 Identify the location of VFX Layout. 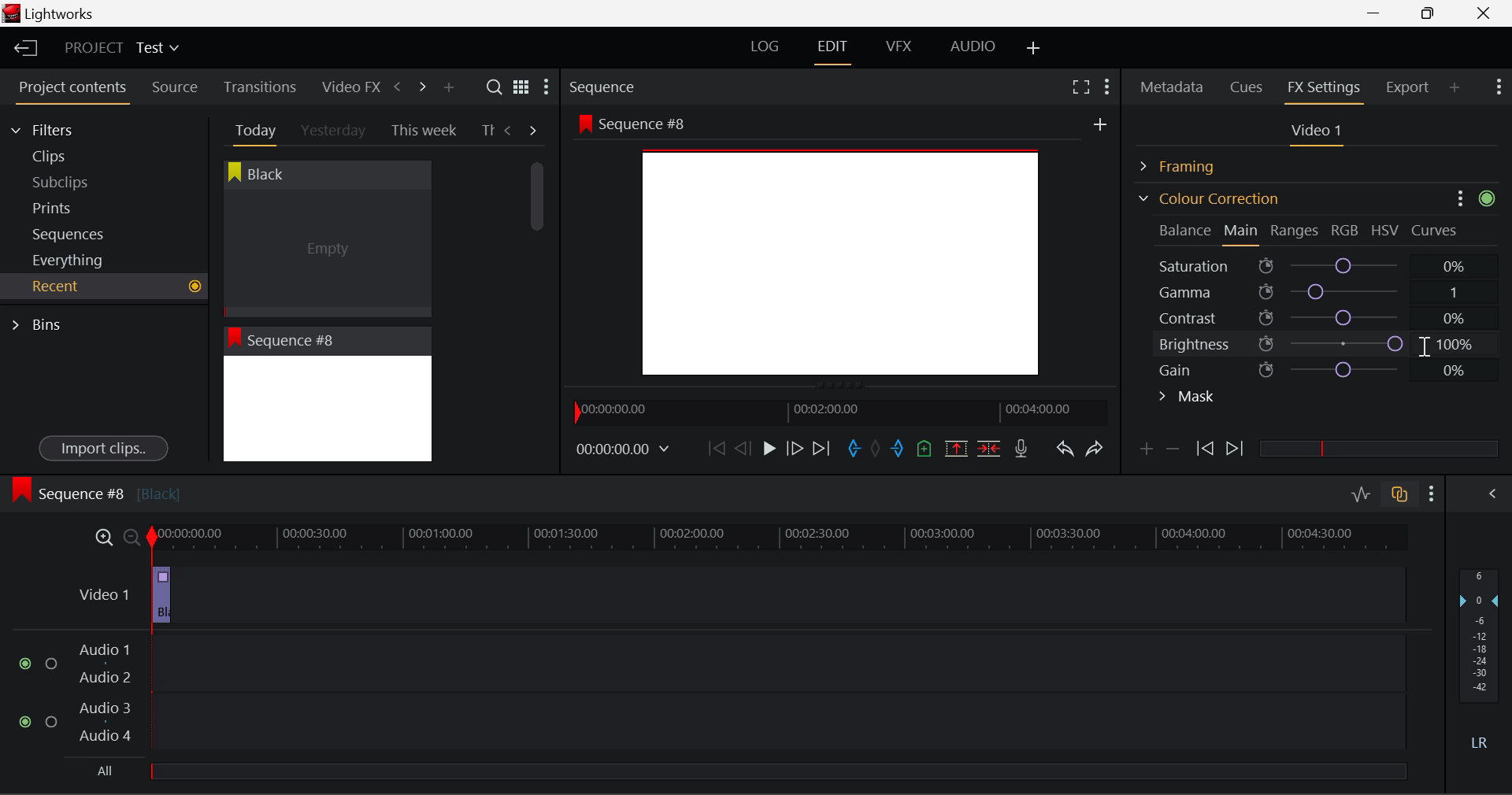
(902, 48).